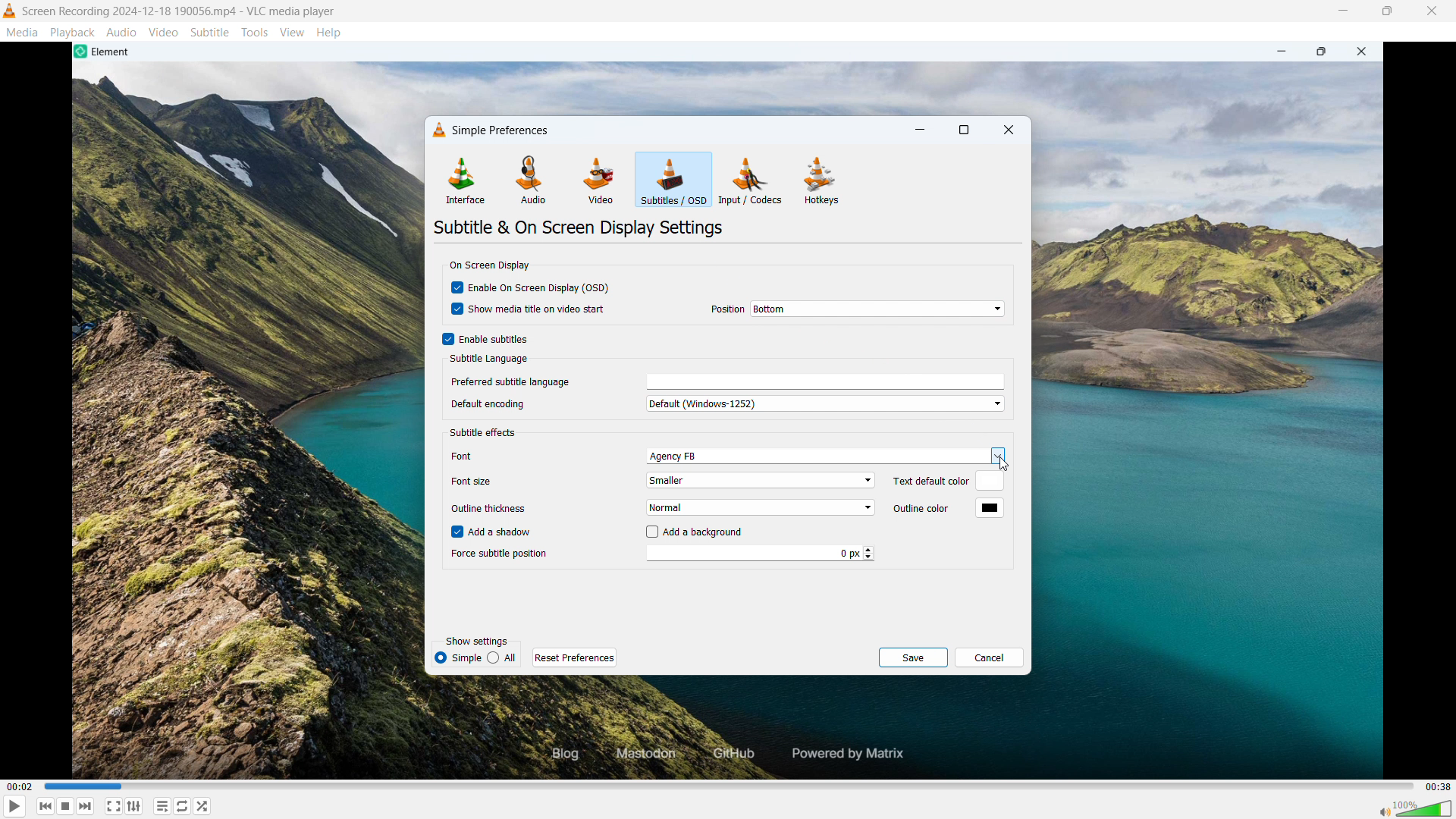 The image size is (1456, 819). I want to click on view, so click(293, 33).